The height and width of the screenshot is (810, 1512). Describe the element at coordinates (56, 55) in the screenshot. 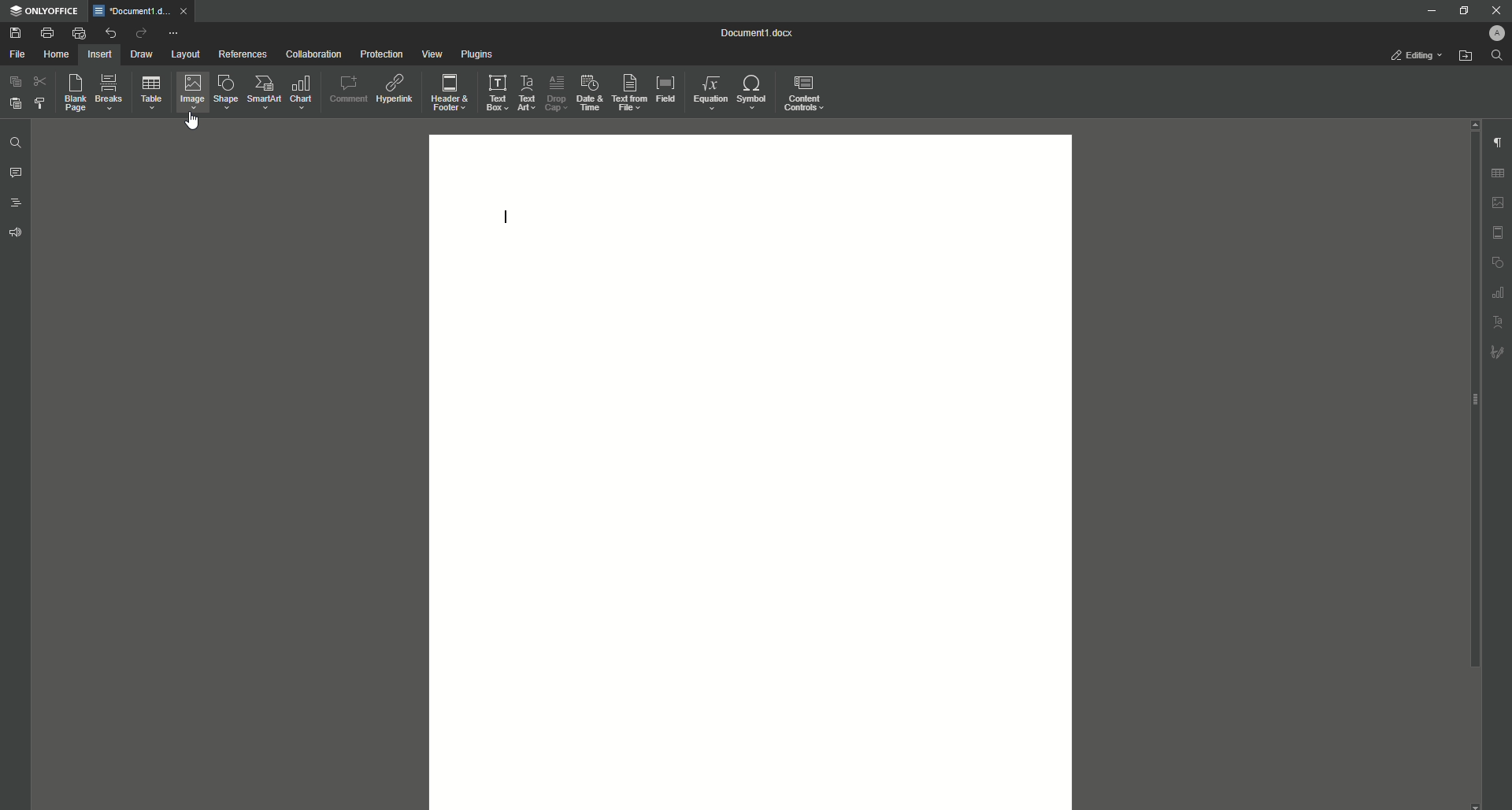

I see `Home` at that location.